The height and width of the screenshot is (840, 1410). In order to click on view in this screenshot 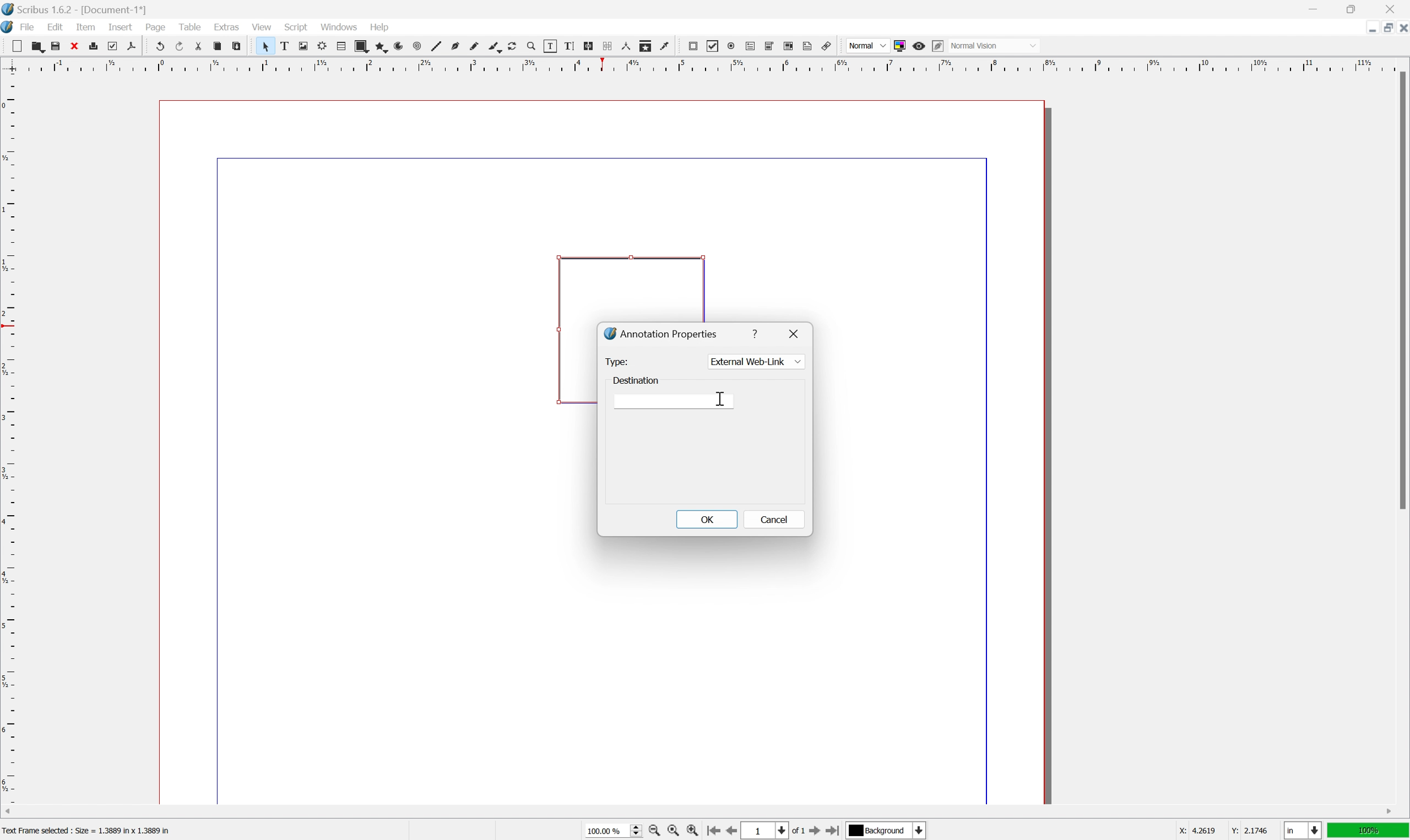, I will do `click(260, 26)`.